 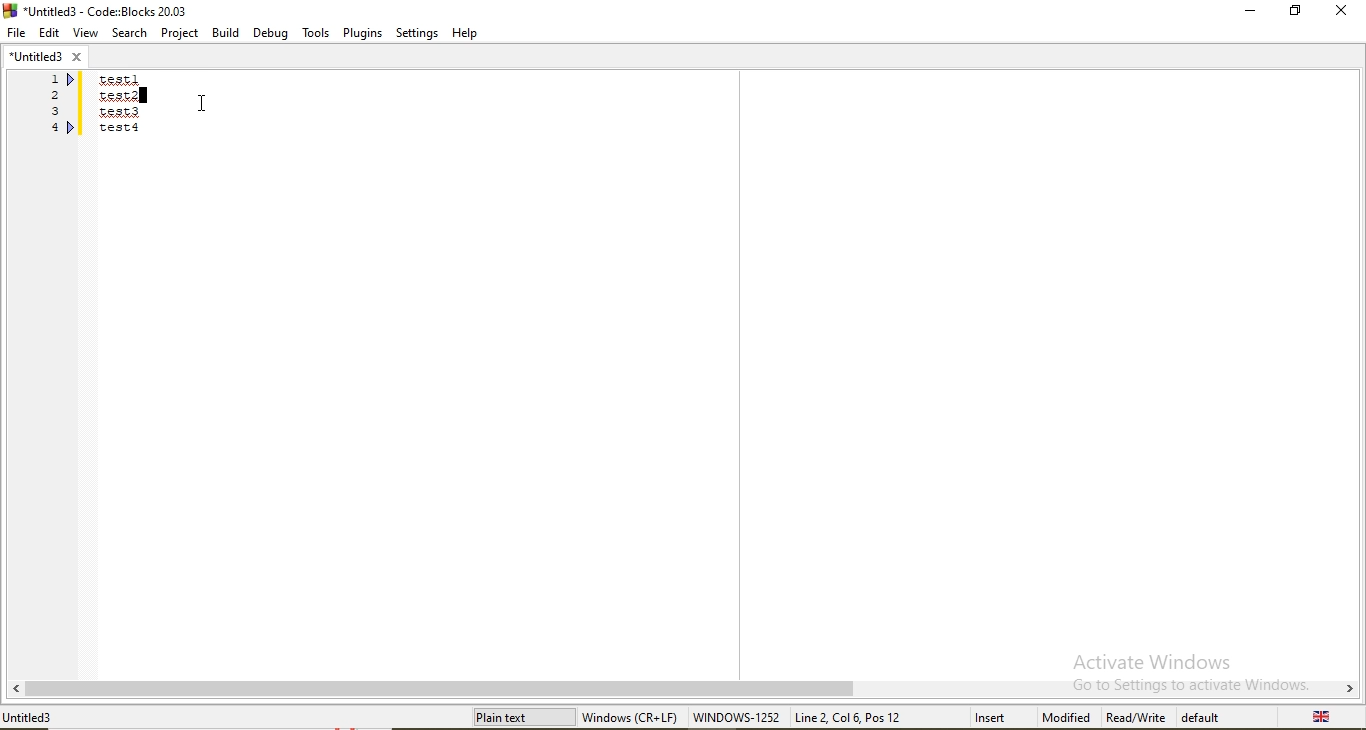 What do you see at coordinates (522, 717) in the screenshot?
I see `plain text` at bounding box center [522, 717].